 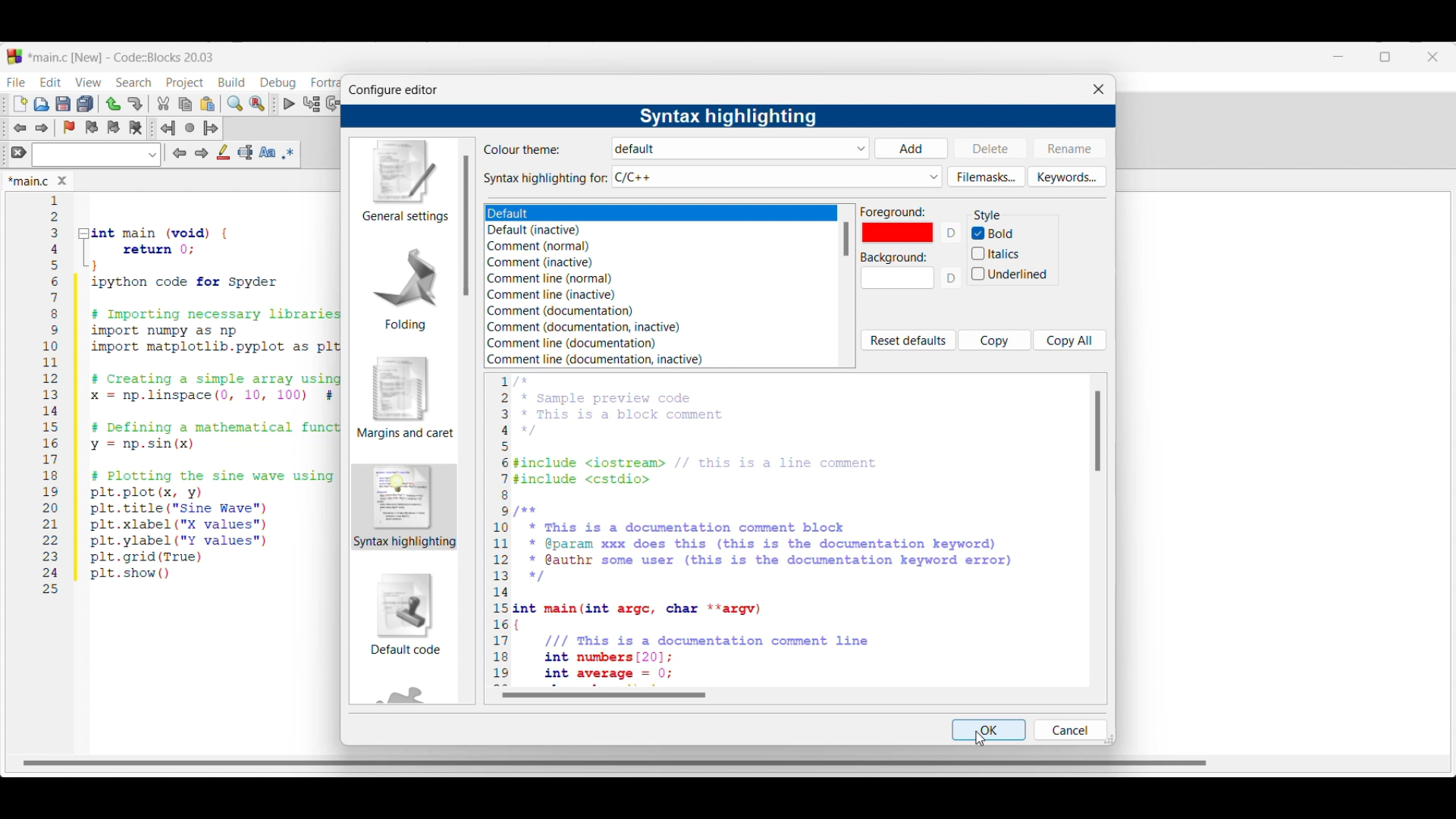 I want to click on Comment (documentation), so click(x=560, y=311).